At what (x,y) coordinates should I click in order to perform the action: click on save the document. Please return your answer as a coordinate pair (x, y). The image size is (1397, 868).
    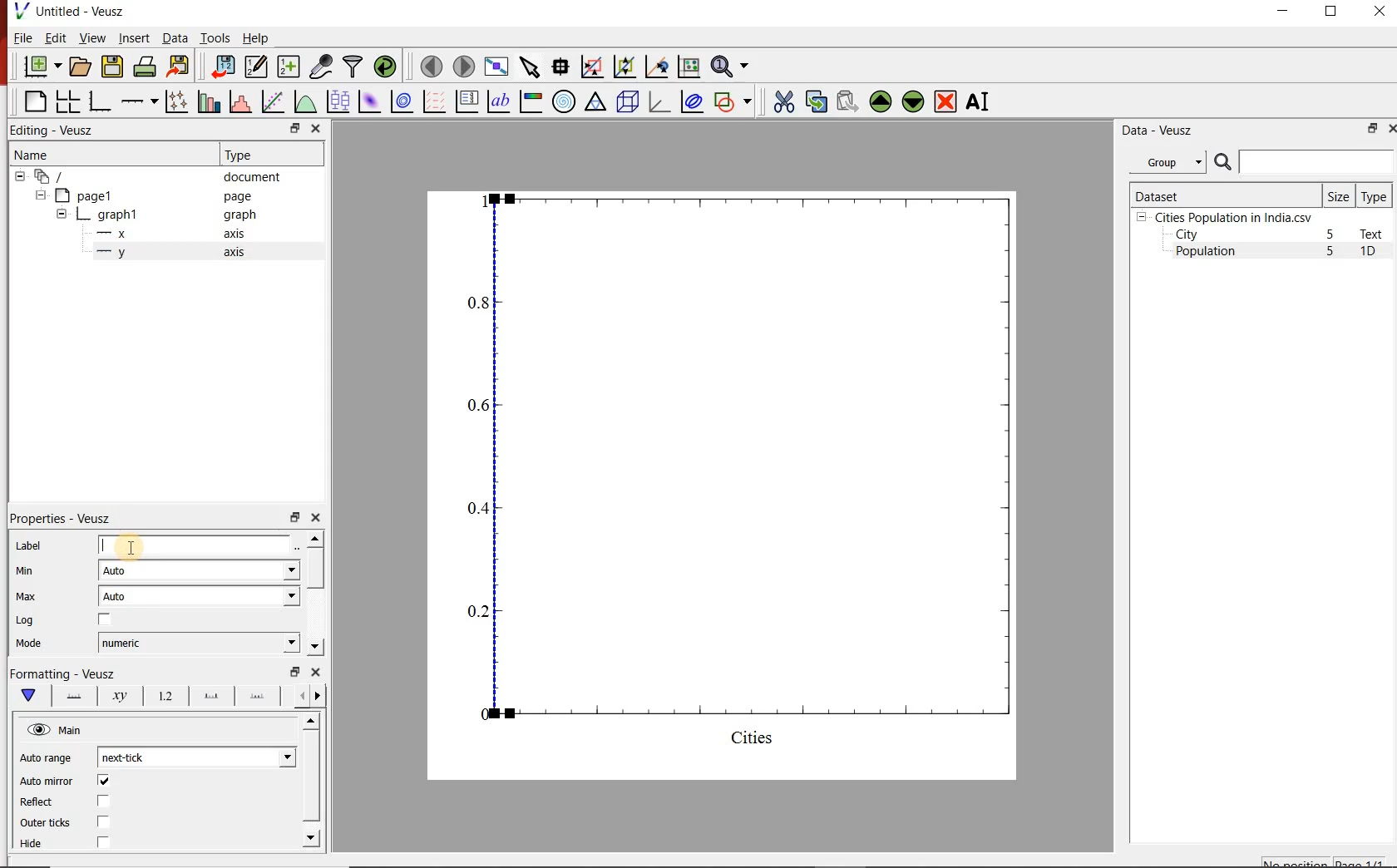
    Looking at the image, I should click on (112, 65).